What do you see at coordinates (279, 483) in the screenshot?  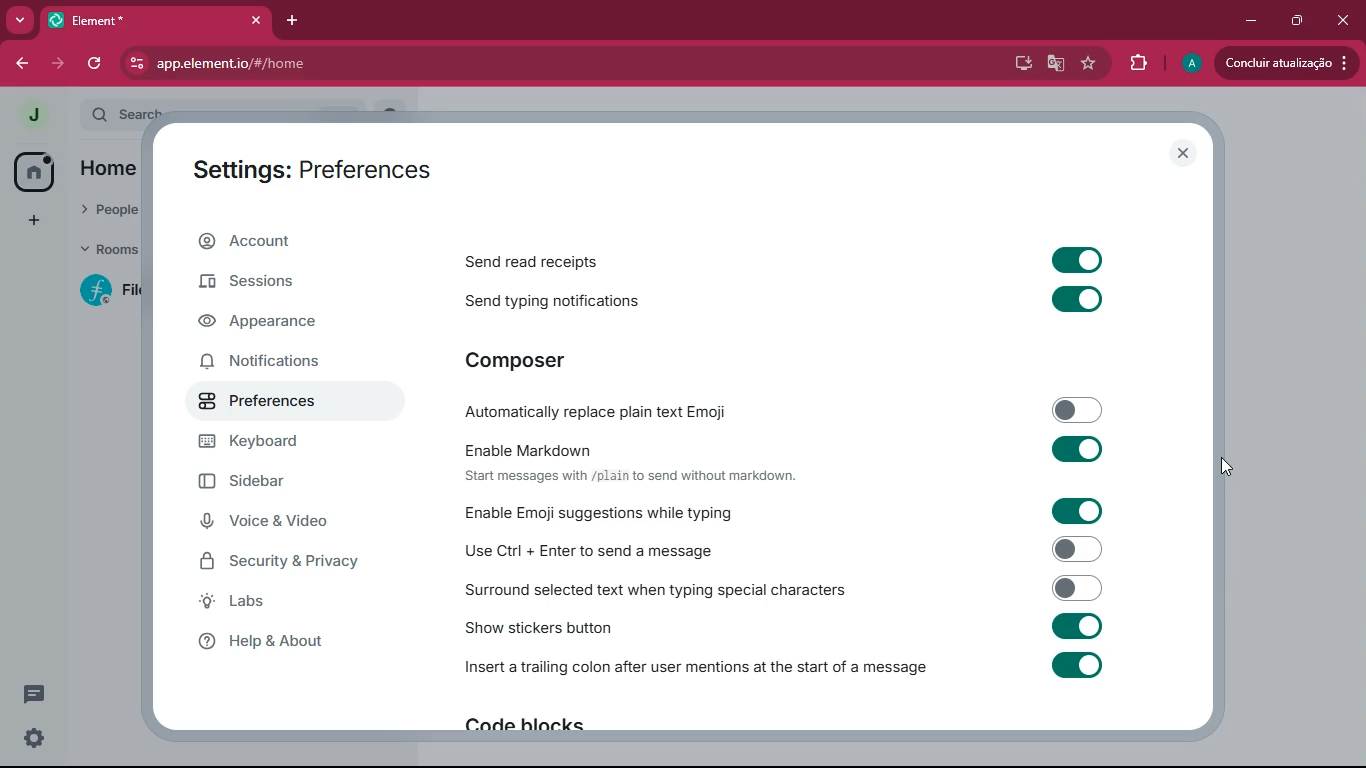 I see `sidebar` at bounding box center [279, 483].